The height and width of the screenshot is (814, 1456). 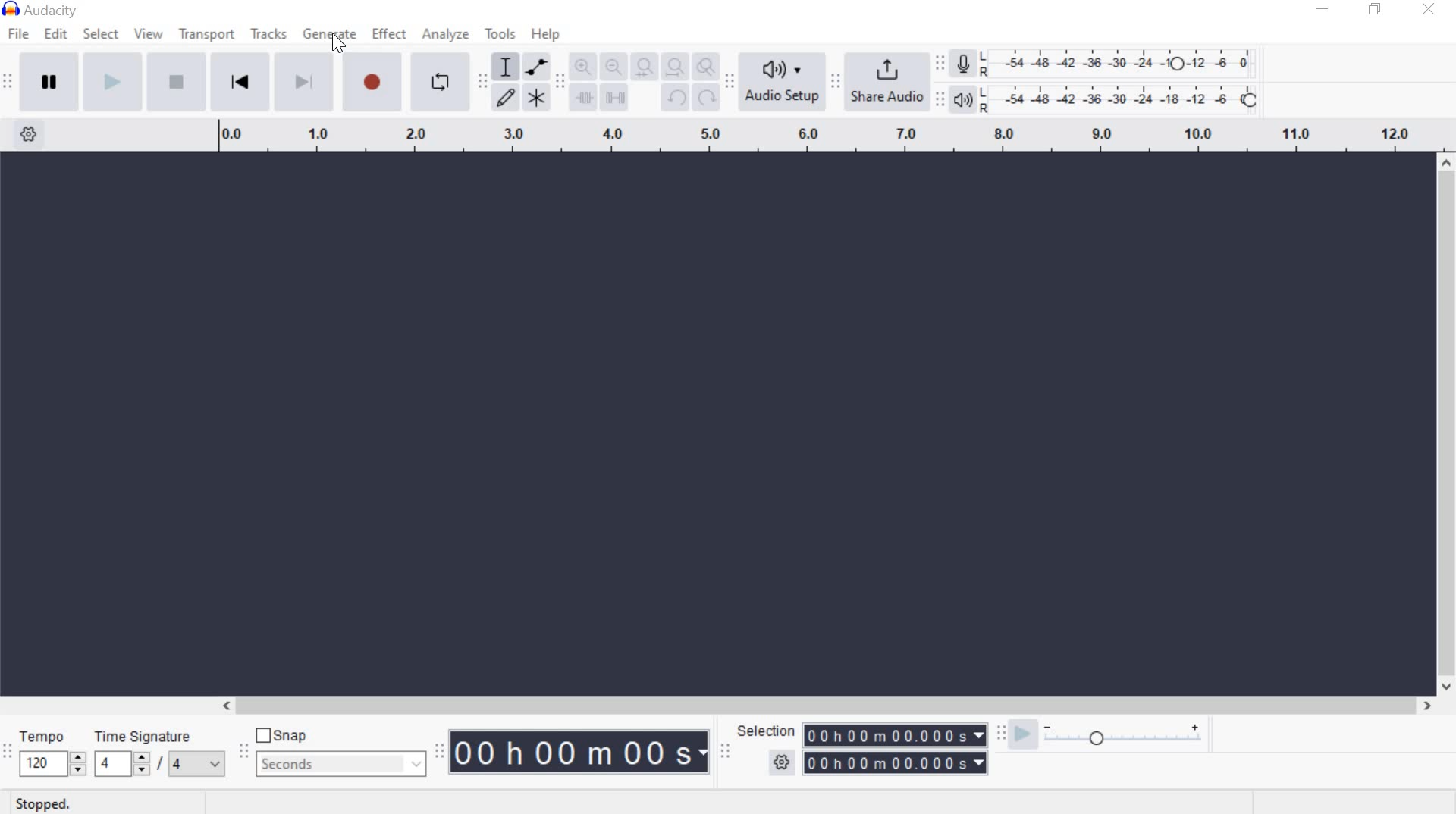 What do you see at coordinates (728, 81) in the screenshot?
I see `Audio setup toolbar` at bounding box center [728, 81].